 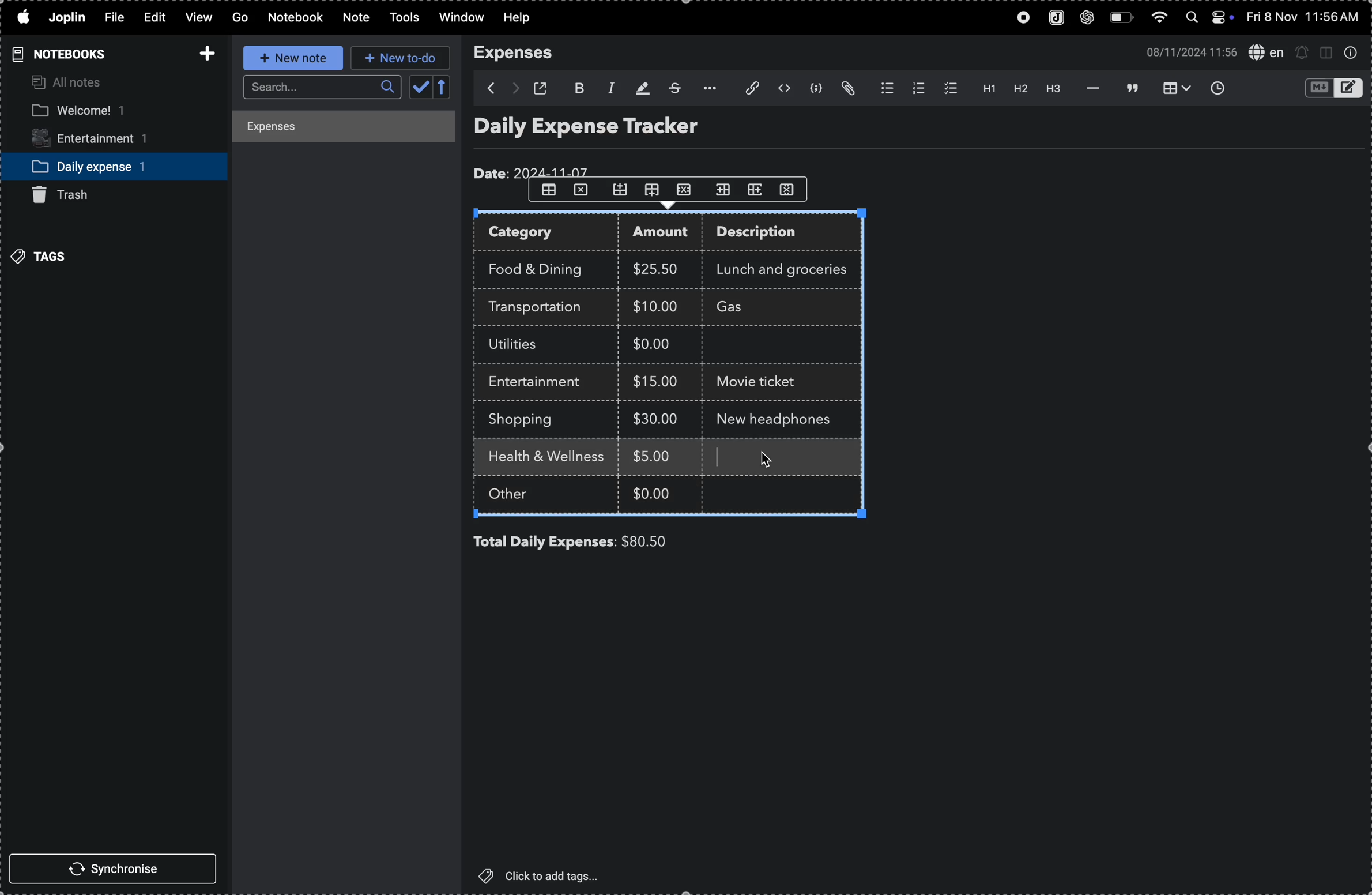 What do you see at coordinates (105, 166) in the screenshot?
I see `daily expense notebook` at bounding box center [105, 166].